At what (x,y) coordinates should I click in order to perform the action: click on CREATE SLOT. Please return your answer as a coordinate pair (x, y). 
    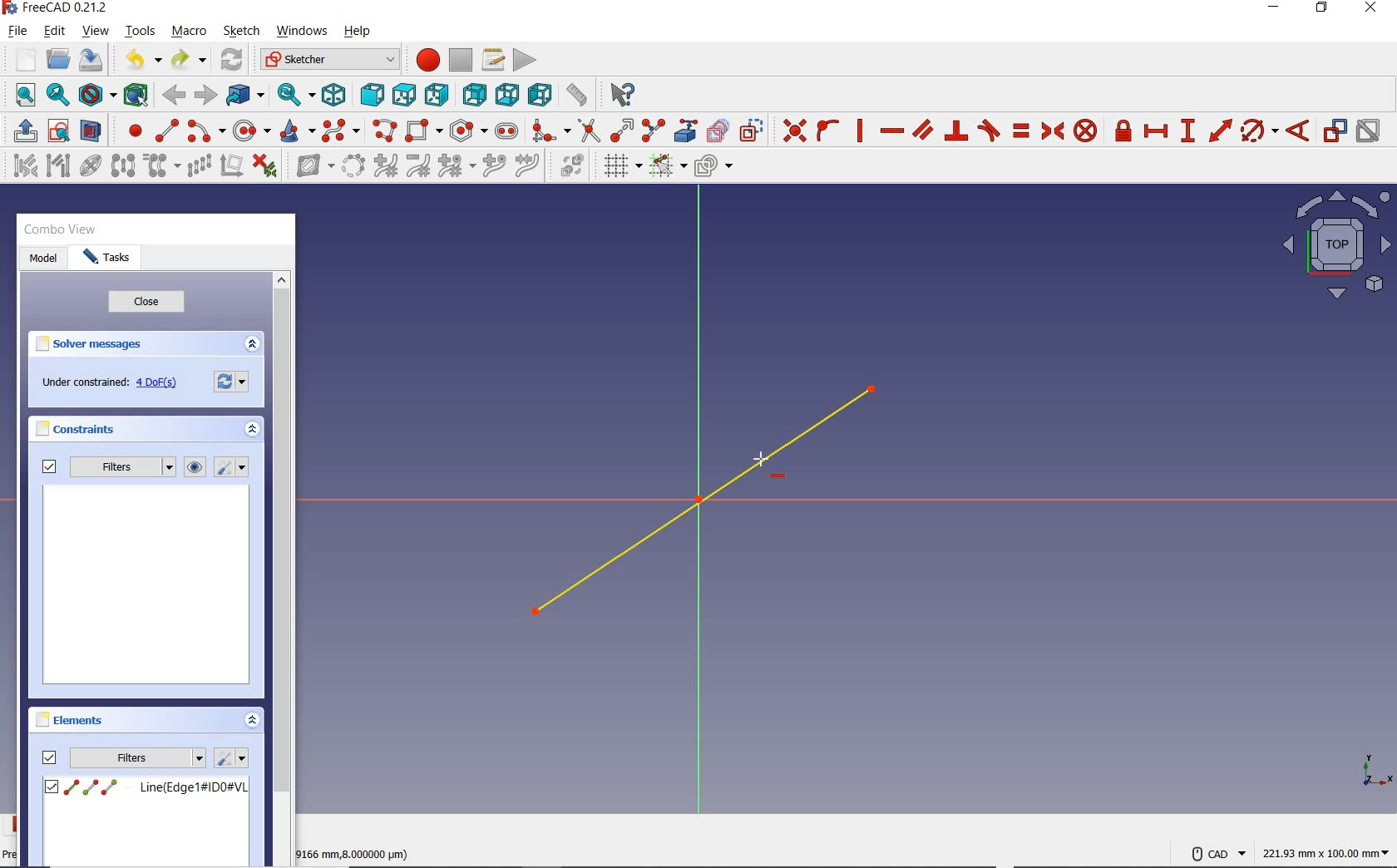
    Looking at the image, I should click on (506, 131).